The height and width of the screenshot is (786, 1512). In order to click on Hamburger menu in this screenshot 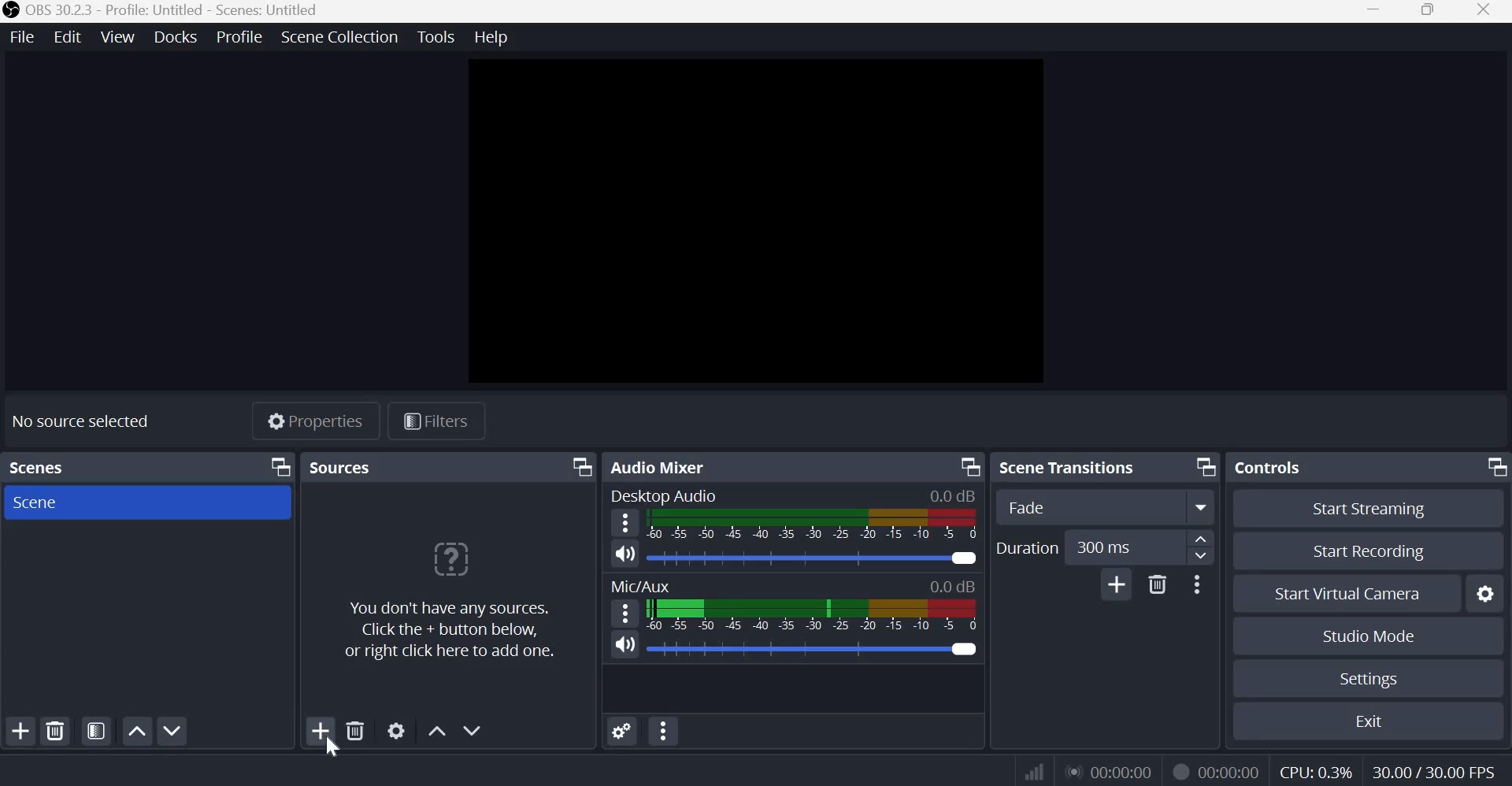, I will do `click(625, 523)`.